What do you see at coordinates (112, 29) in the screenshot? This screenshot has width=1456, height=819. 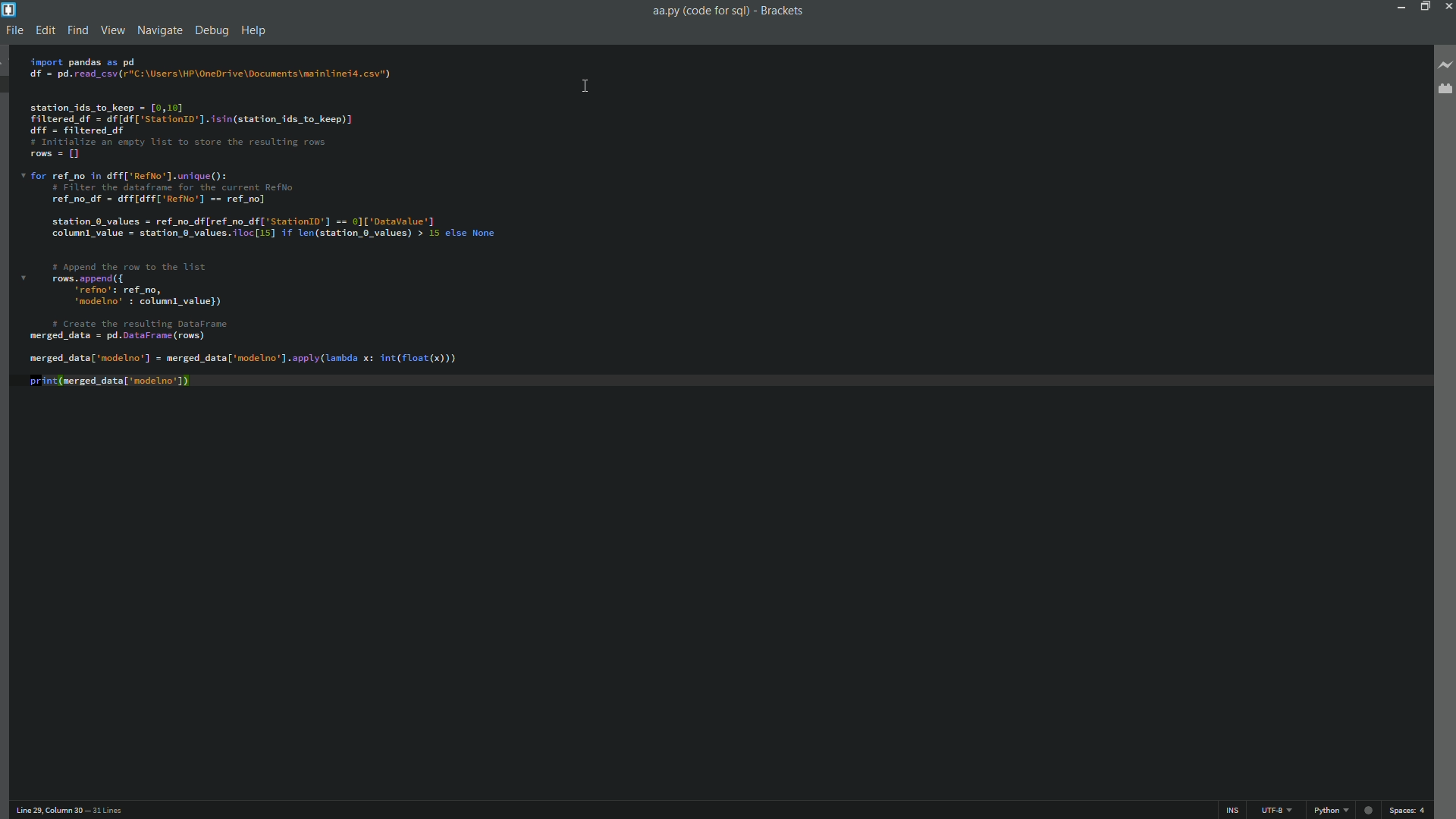 I see `view menu` at bounding box center [112, 29].